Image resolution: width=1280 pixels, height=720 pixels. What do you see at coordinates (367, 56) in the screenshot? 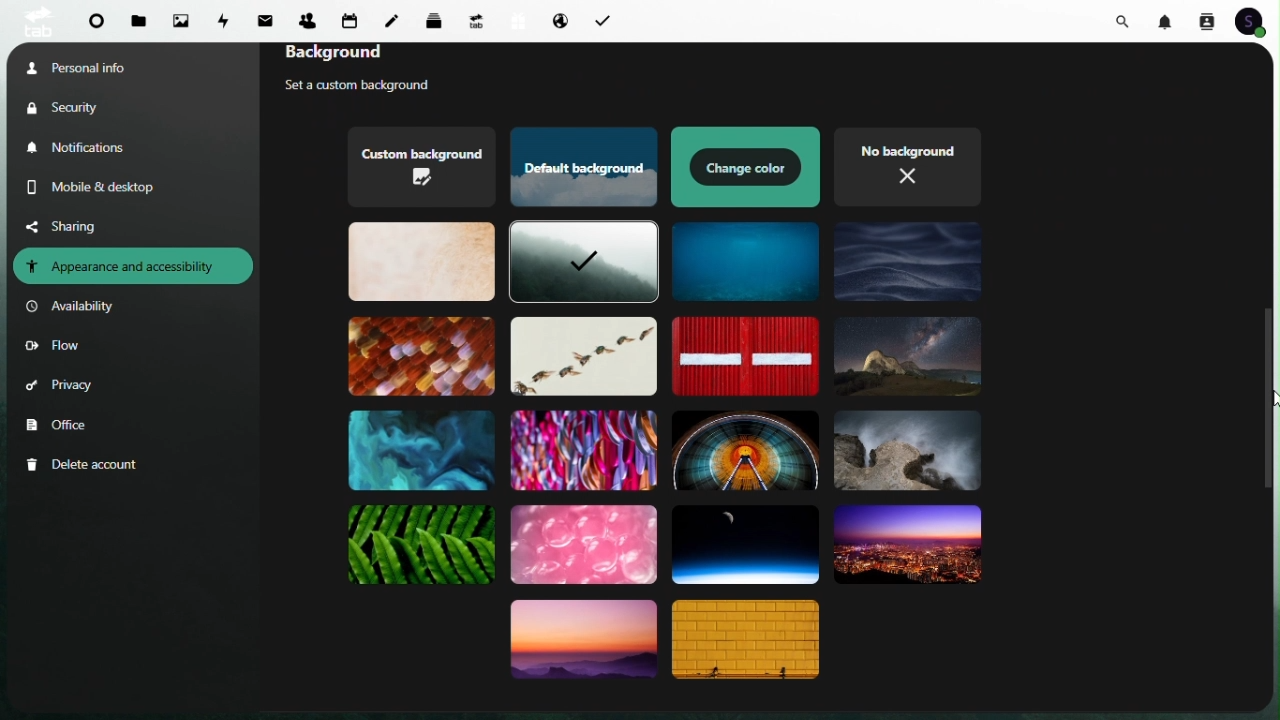
I see `Background` at bounding box center [367, 56].